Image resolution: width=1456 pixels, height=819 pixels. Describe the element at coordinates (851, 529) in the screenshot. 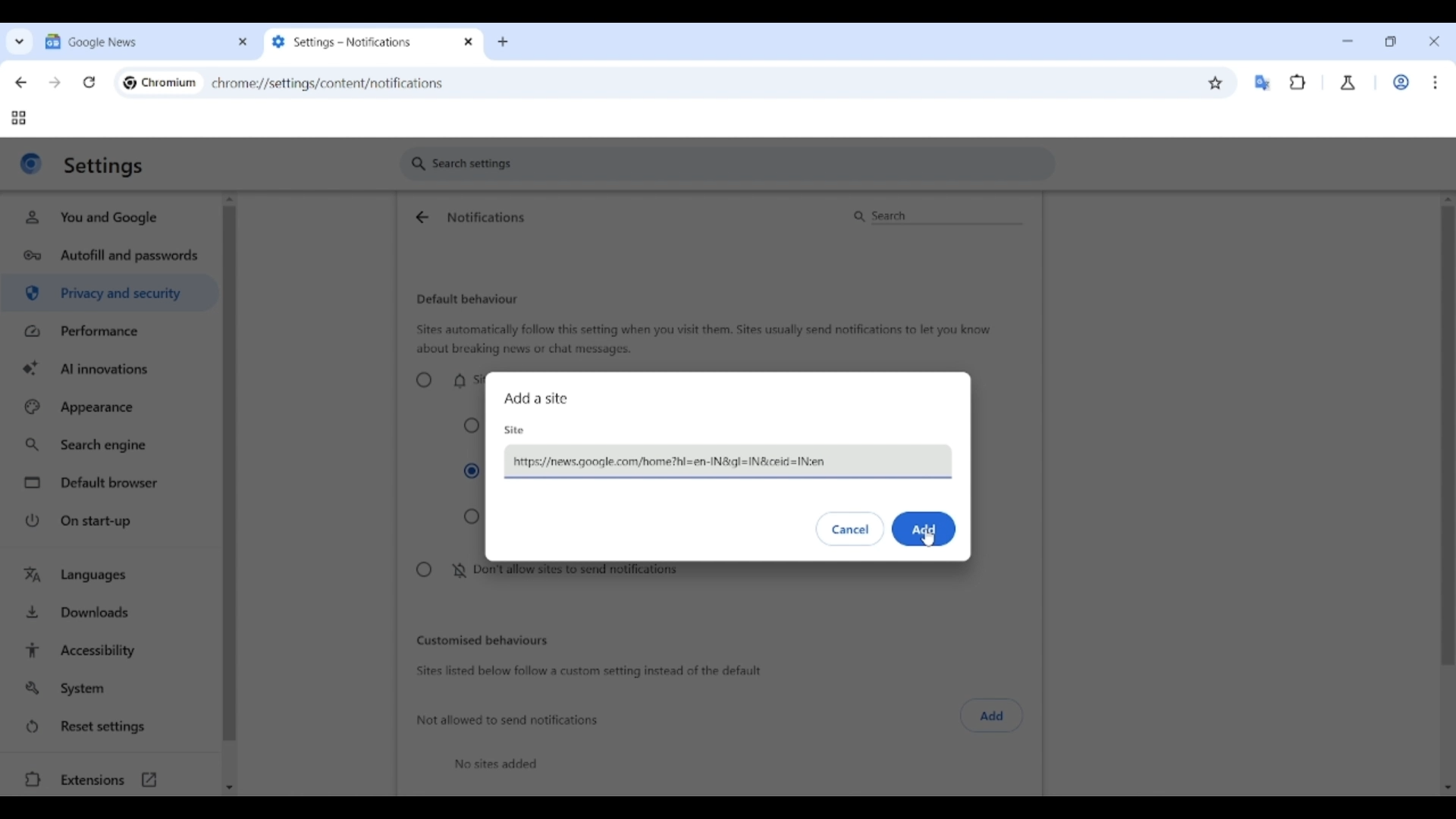

I see `Discard inputs made` at that location.